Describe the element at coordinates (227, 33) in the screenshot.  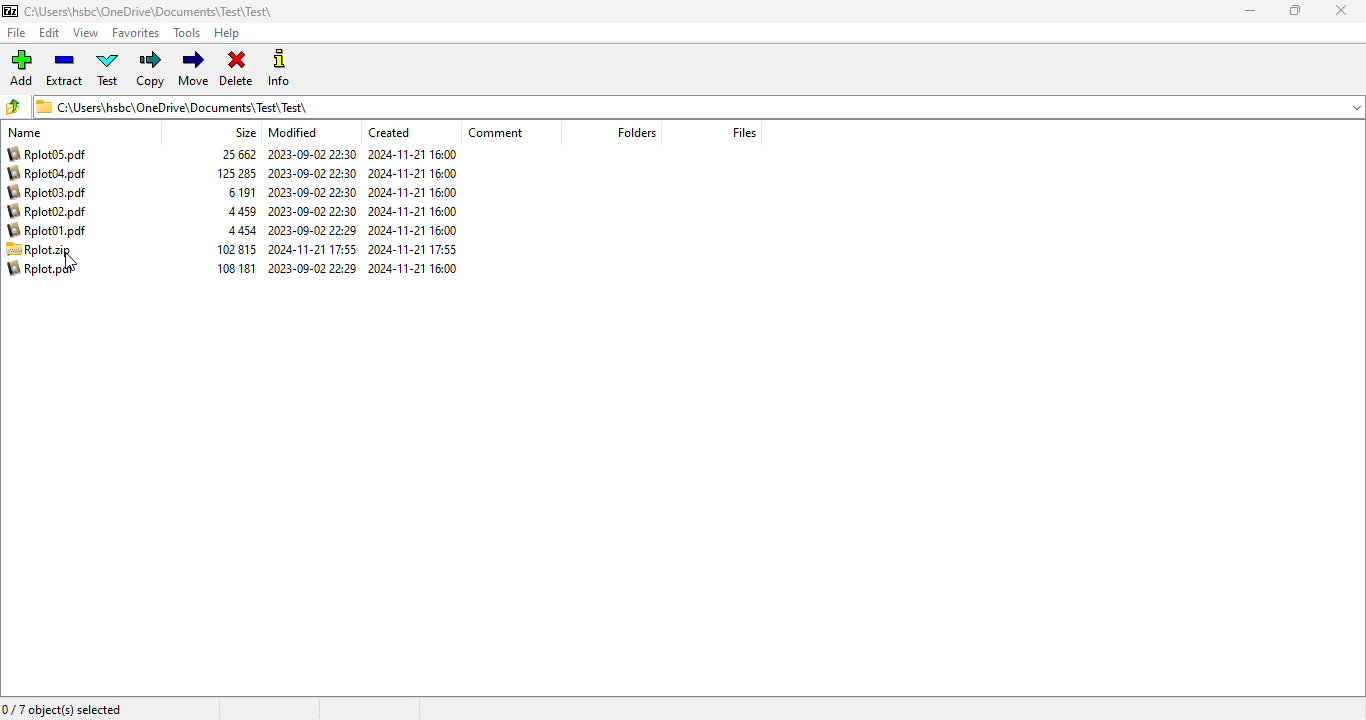
I see `help` at that location.